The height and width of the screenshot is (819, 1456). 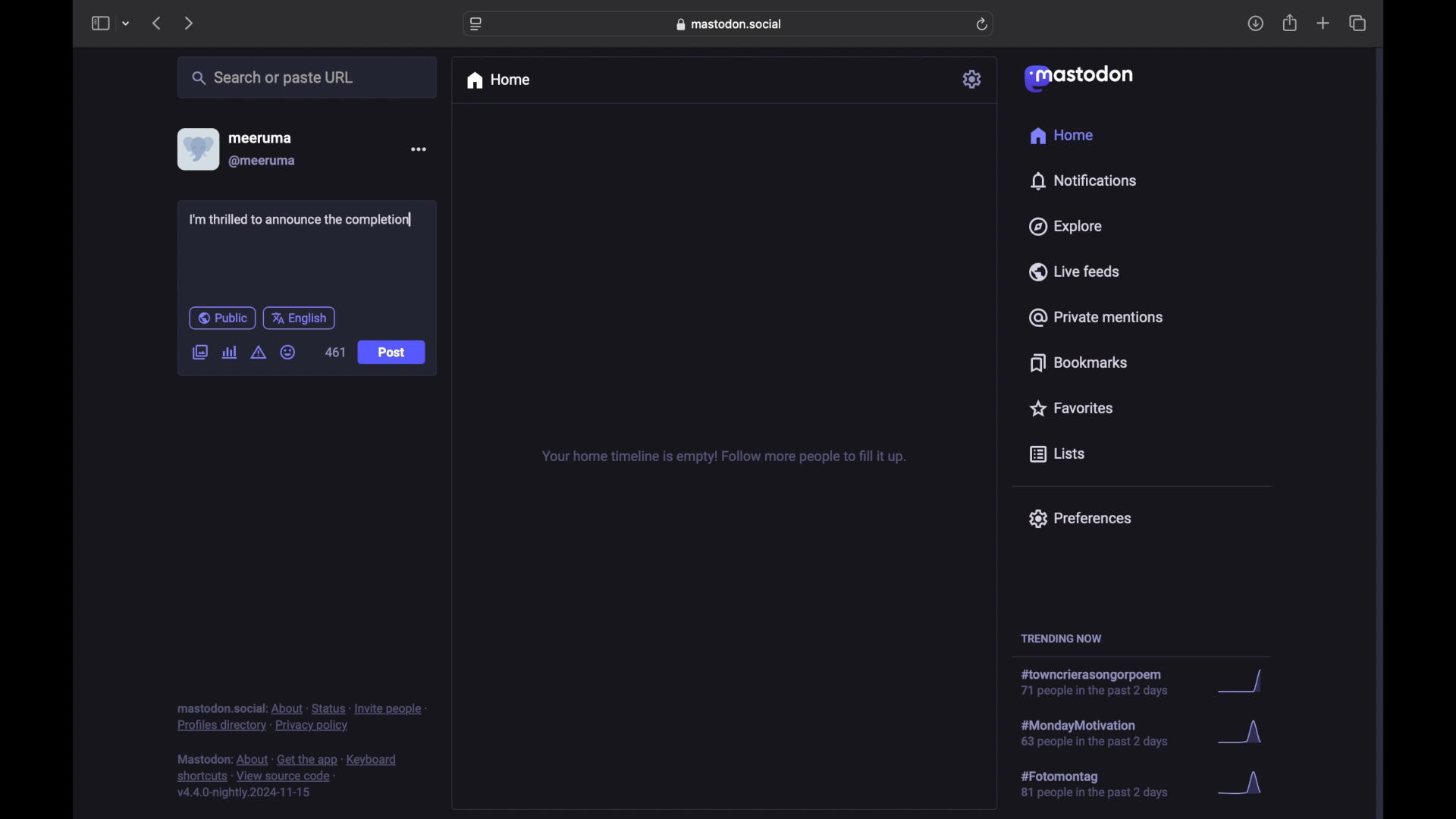 I want to click on home, so click(x=497, y=80).